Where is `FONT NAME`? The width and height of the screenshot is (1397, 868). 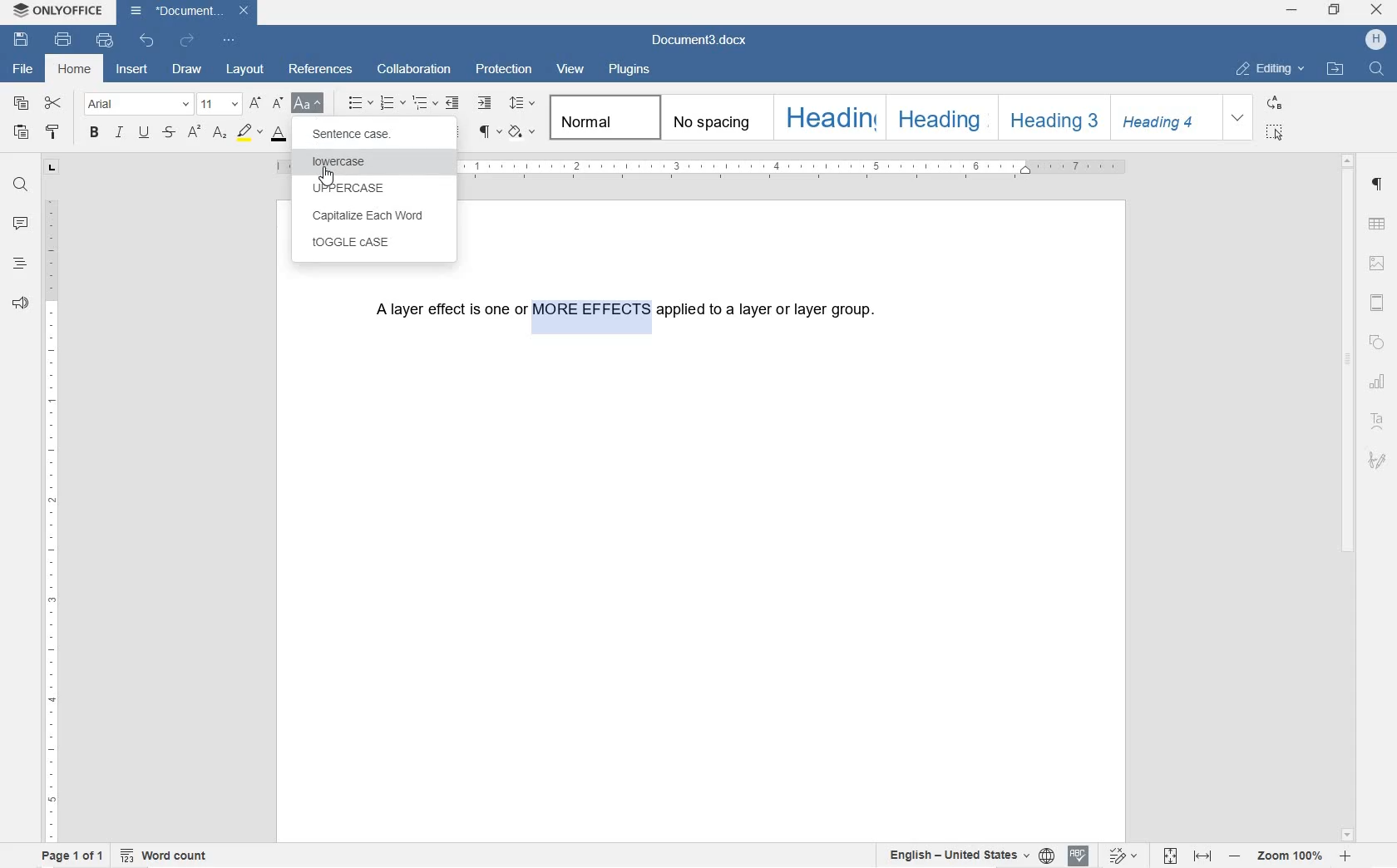
FONT NAME is located at coordinates (137, 103).